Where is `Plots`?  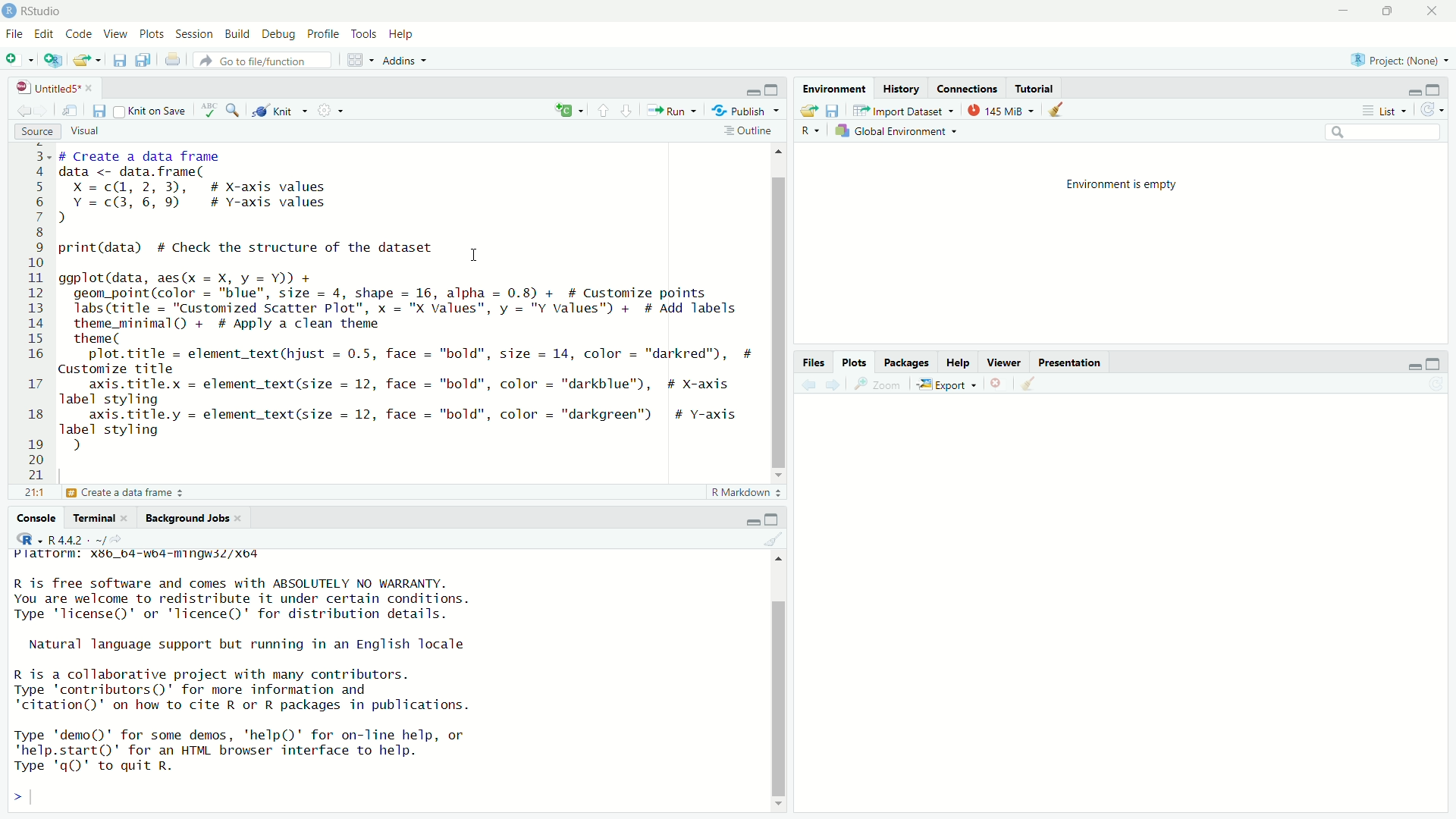 Plots is located at coordinates (154, 35).